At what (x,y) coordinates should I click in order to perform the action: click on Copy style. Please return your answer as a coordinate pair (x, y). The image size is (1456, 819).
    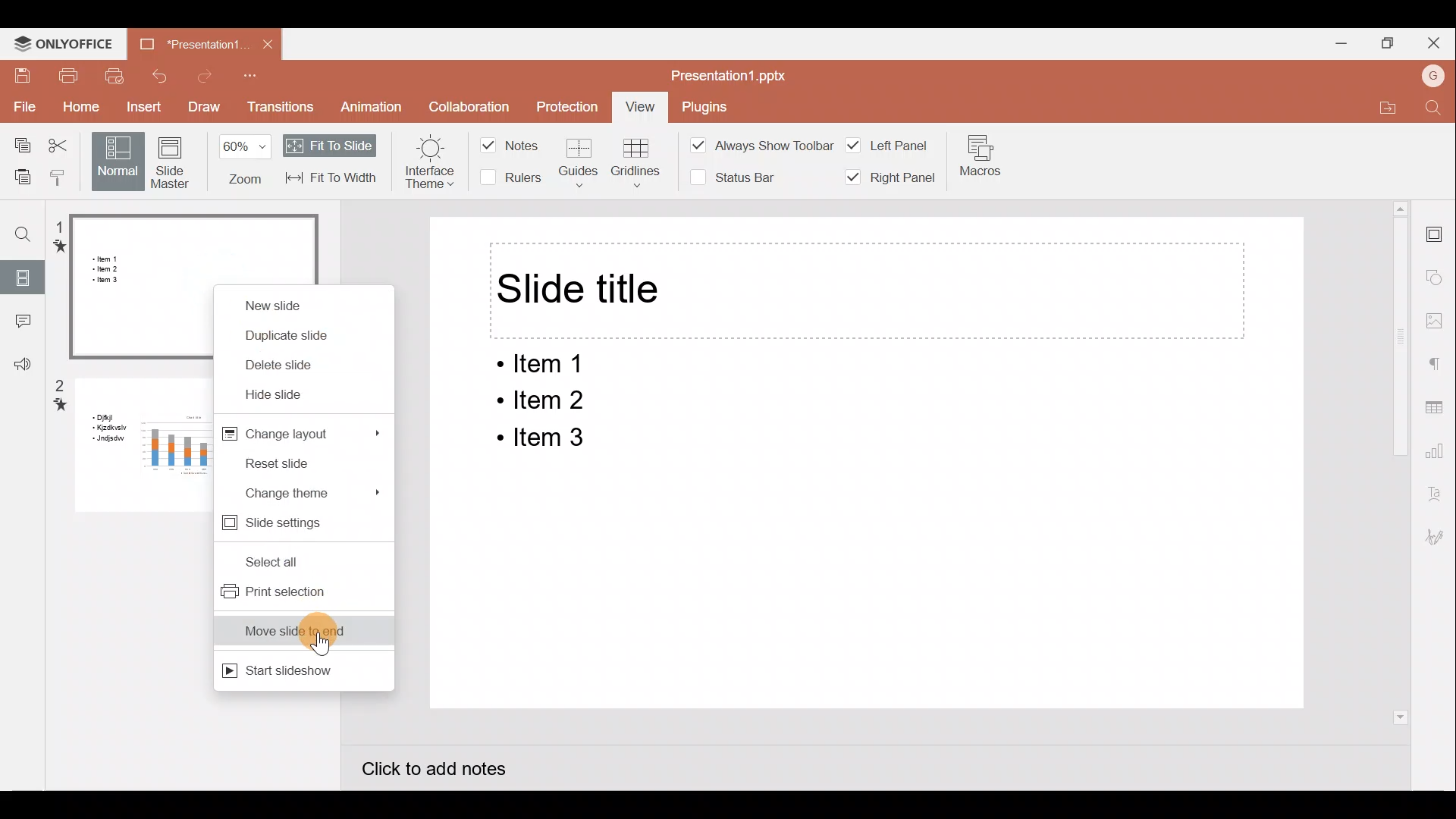
    Looking at the image, I should click on (64, 178).